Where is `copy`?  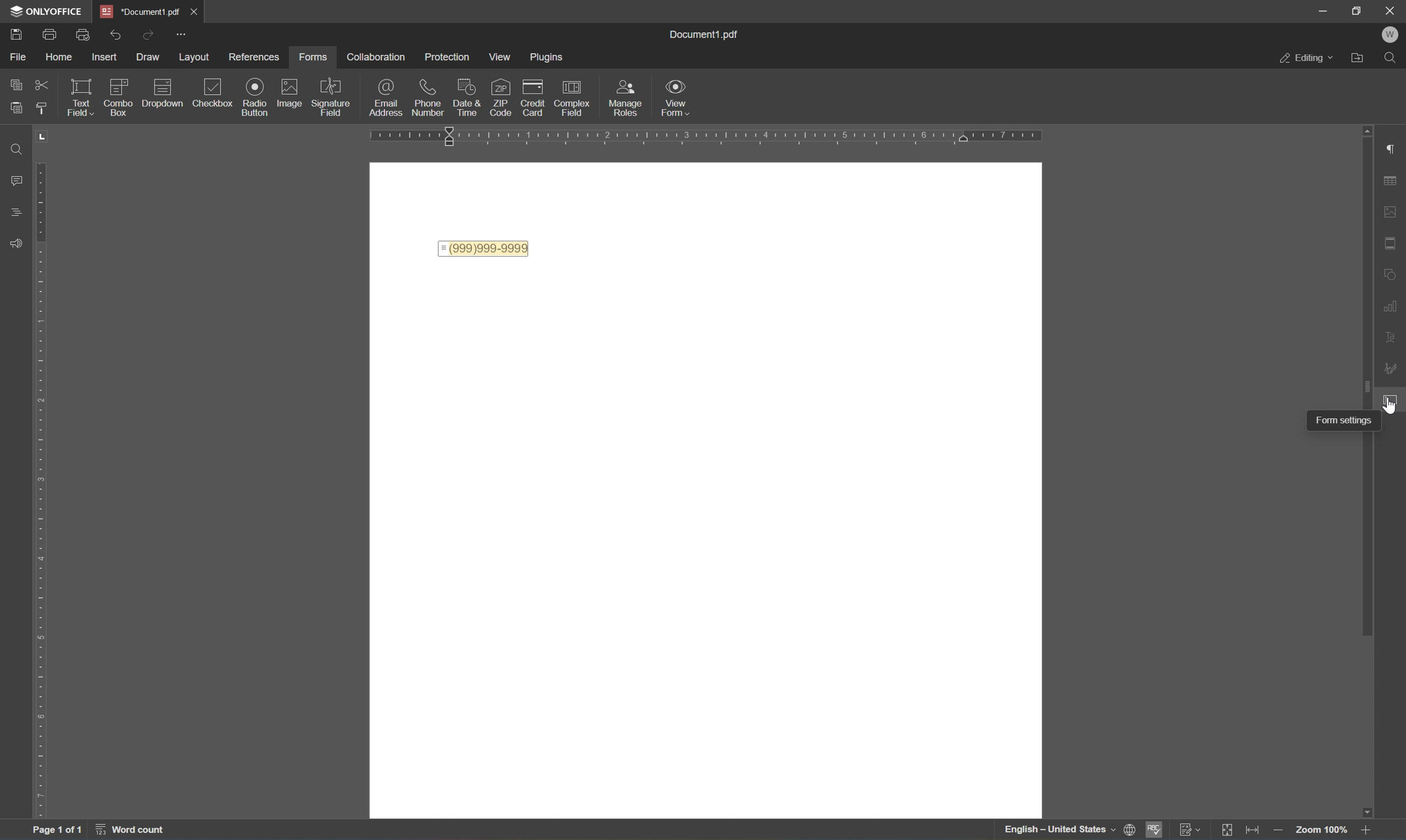 copy is located at coordinates (11, 84).